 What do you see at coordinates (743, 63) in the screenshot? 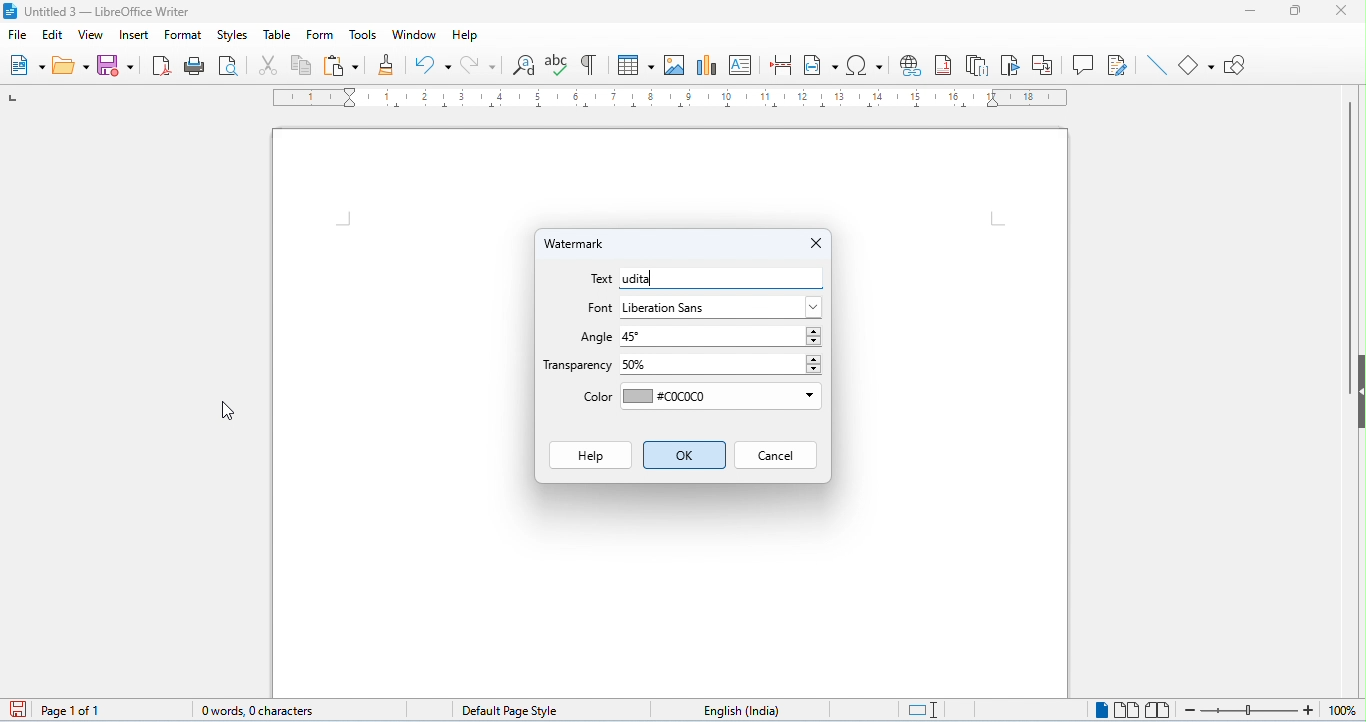
I see `insert text box` at bounding box center [743, 63].